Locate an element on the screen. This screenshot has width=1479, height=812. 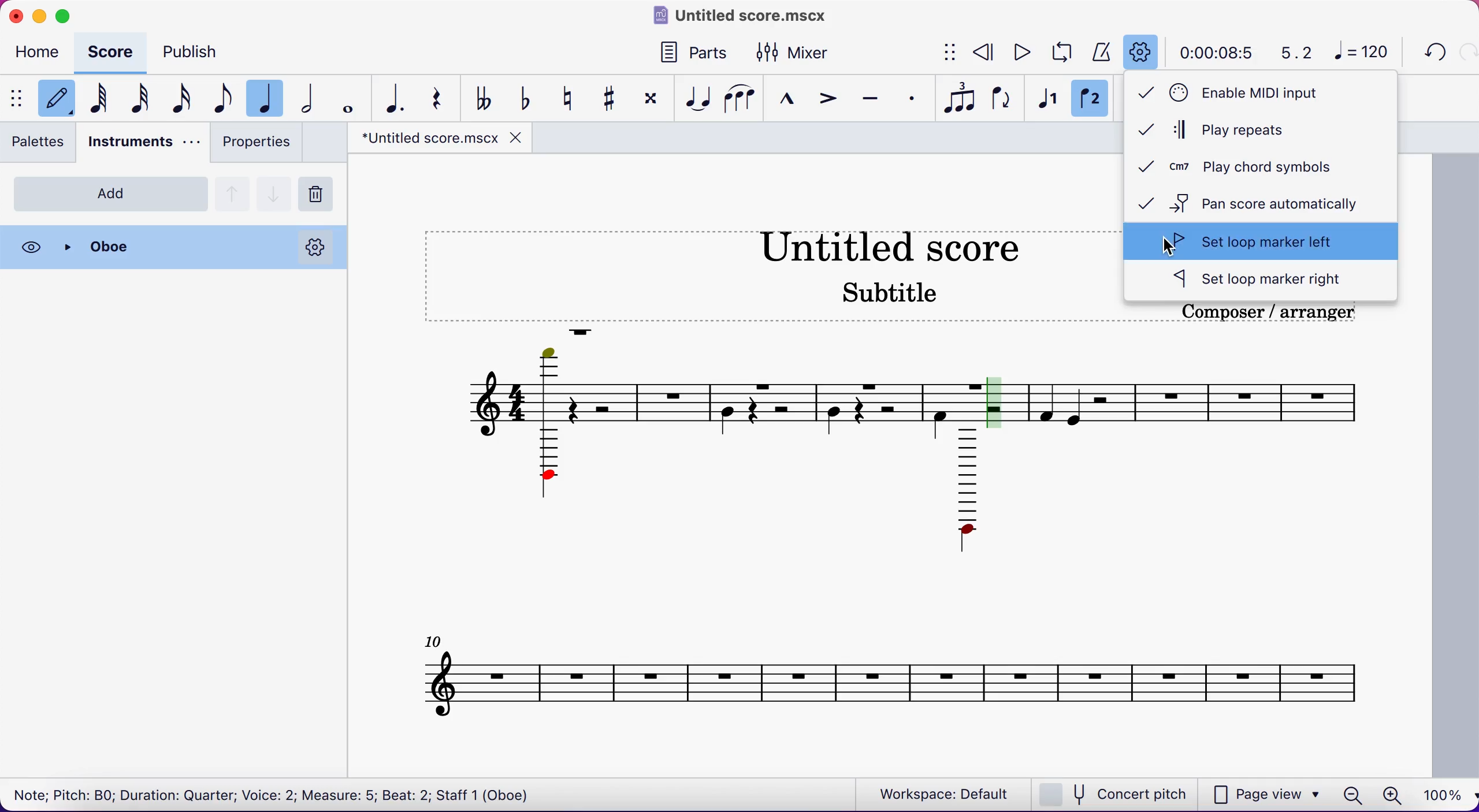
quarter note is located at coordinates (269, 96).